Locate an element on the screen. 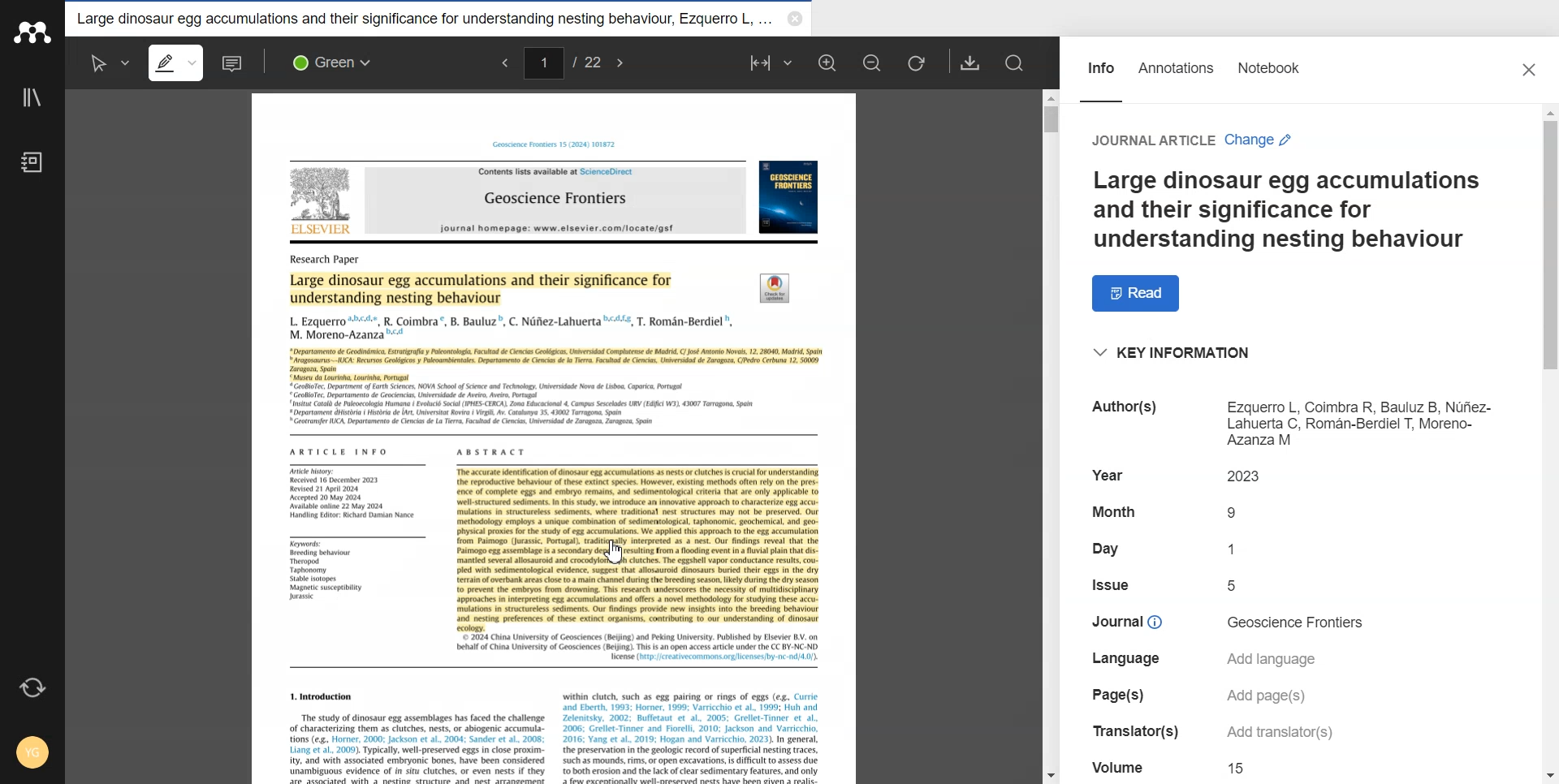  Auto sync is located at coordinates (32, 689).